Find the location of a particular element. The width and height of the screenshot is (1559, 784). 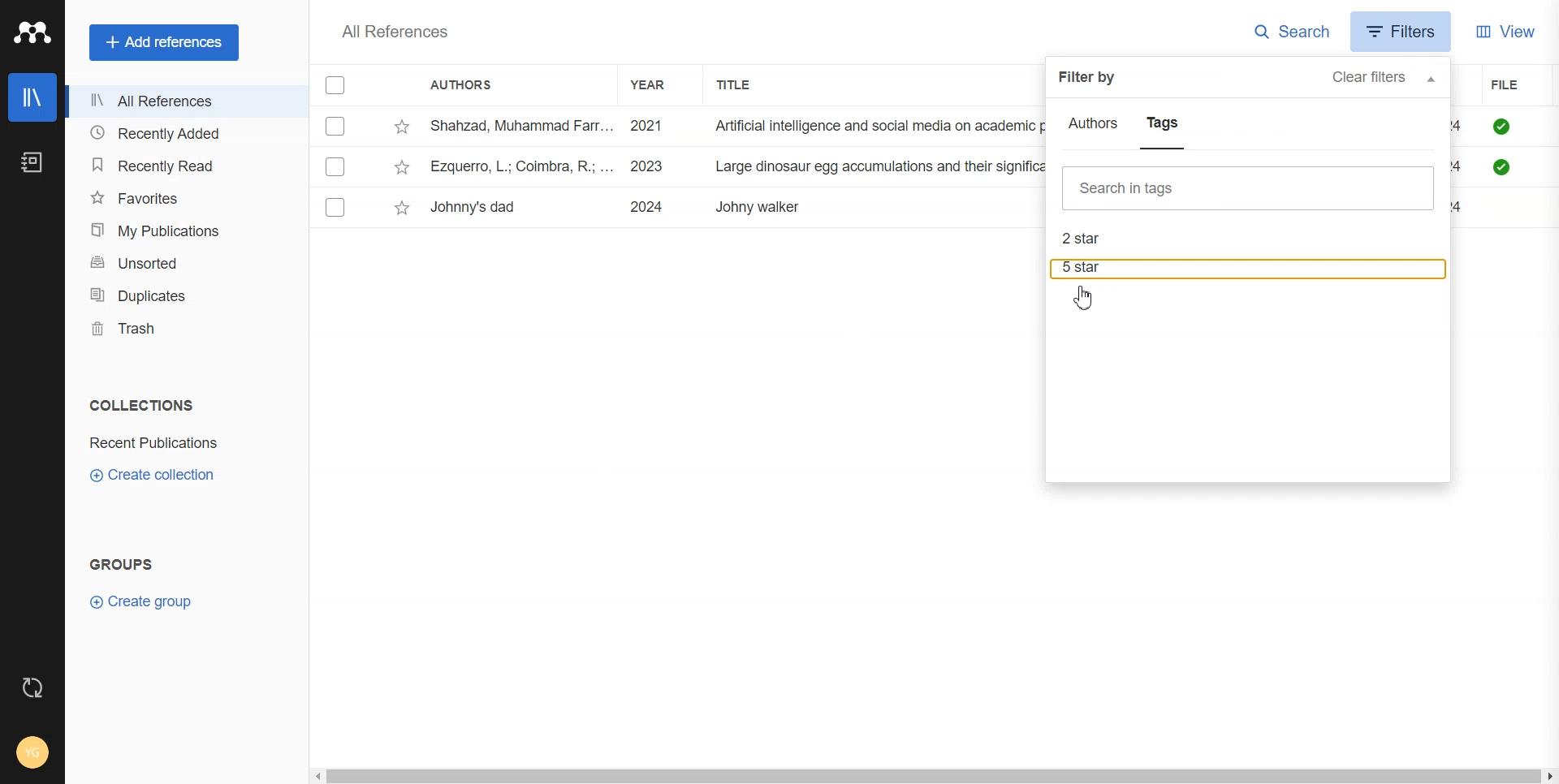

Shahzad, Muhammad Farr... 2021 Artificial intelligence and social media on academic performance and mental ...  Heliyon 12/18/2024 is located at coordinates (732, 127).